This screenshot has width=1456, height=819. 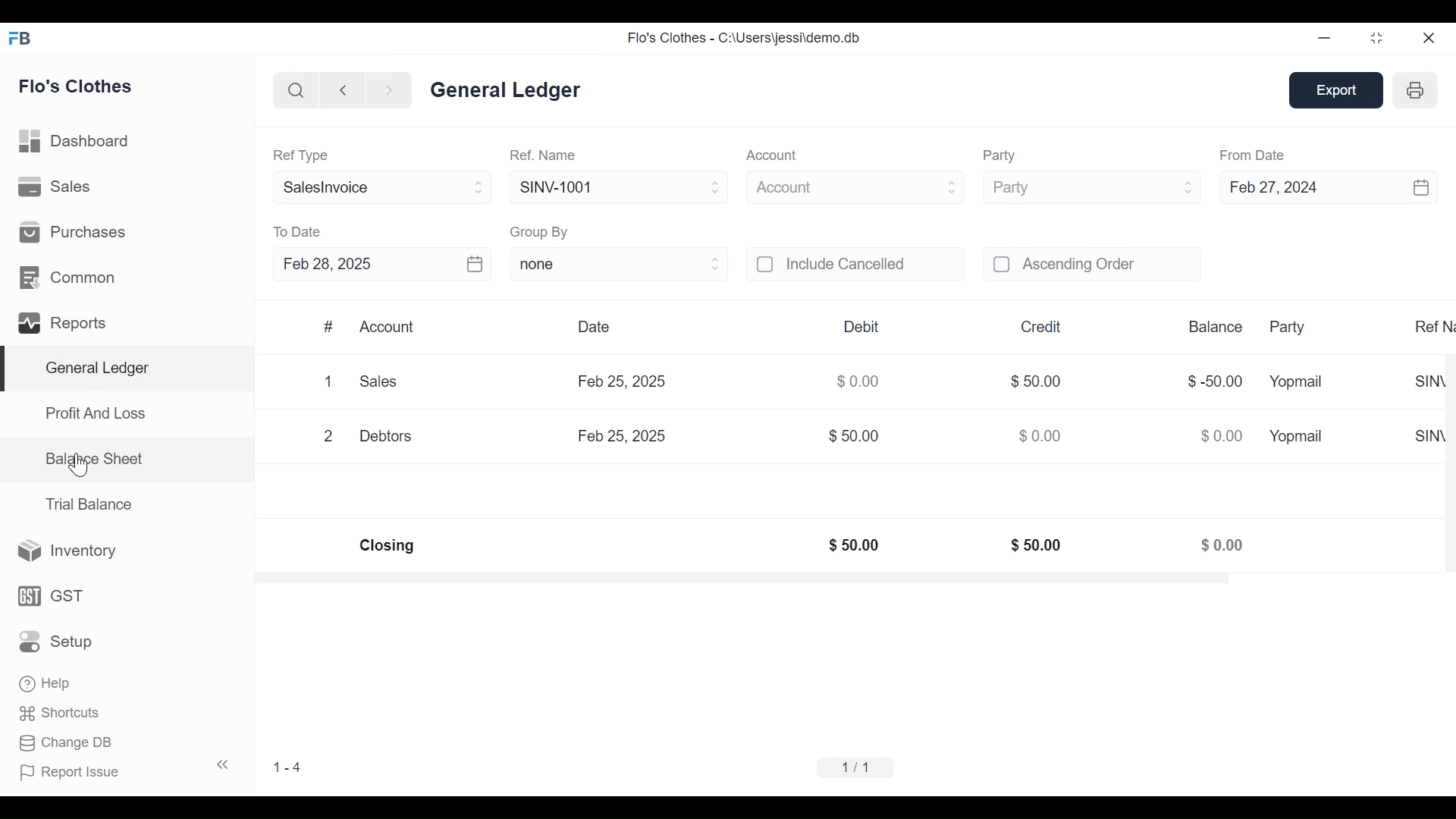 What do you see at coordinates (1326, 37) in the screenshot?
I see `minimise` at bounding box center [1326, 37].